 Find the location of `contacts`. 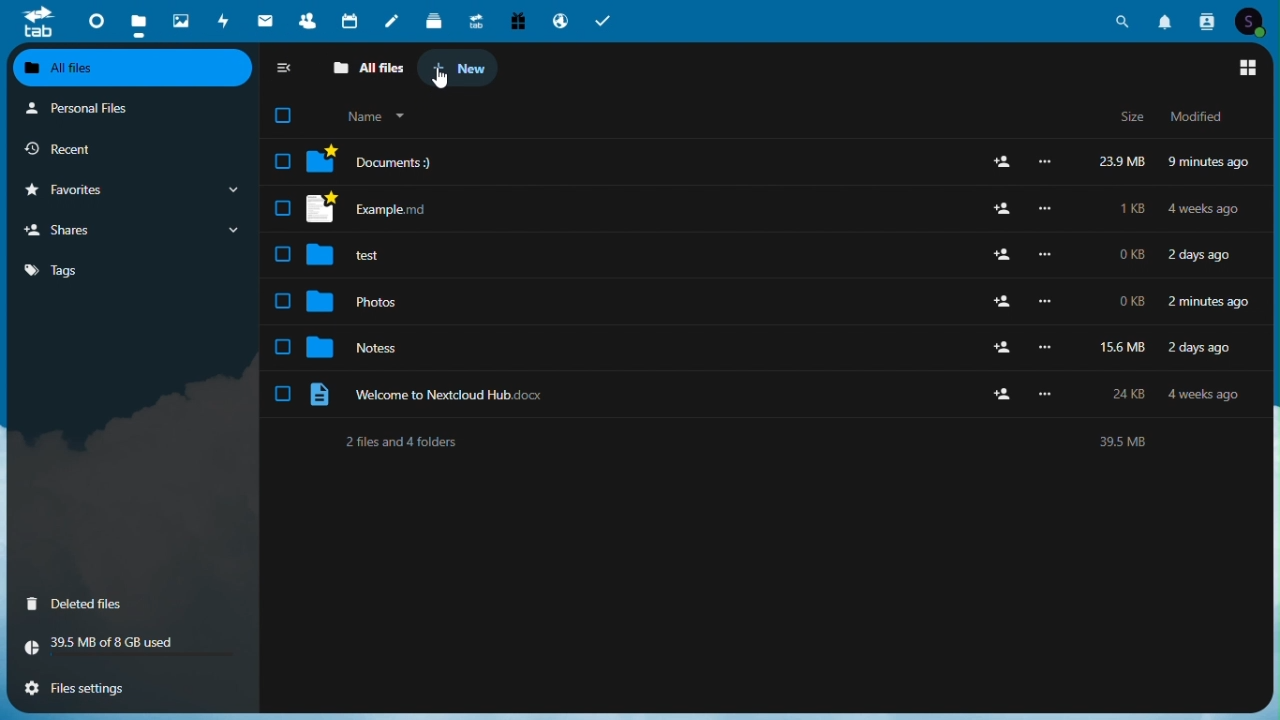

contacts is located at coordinates (306, 19).